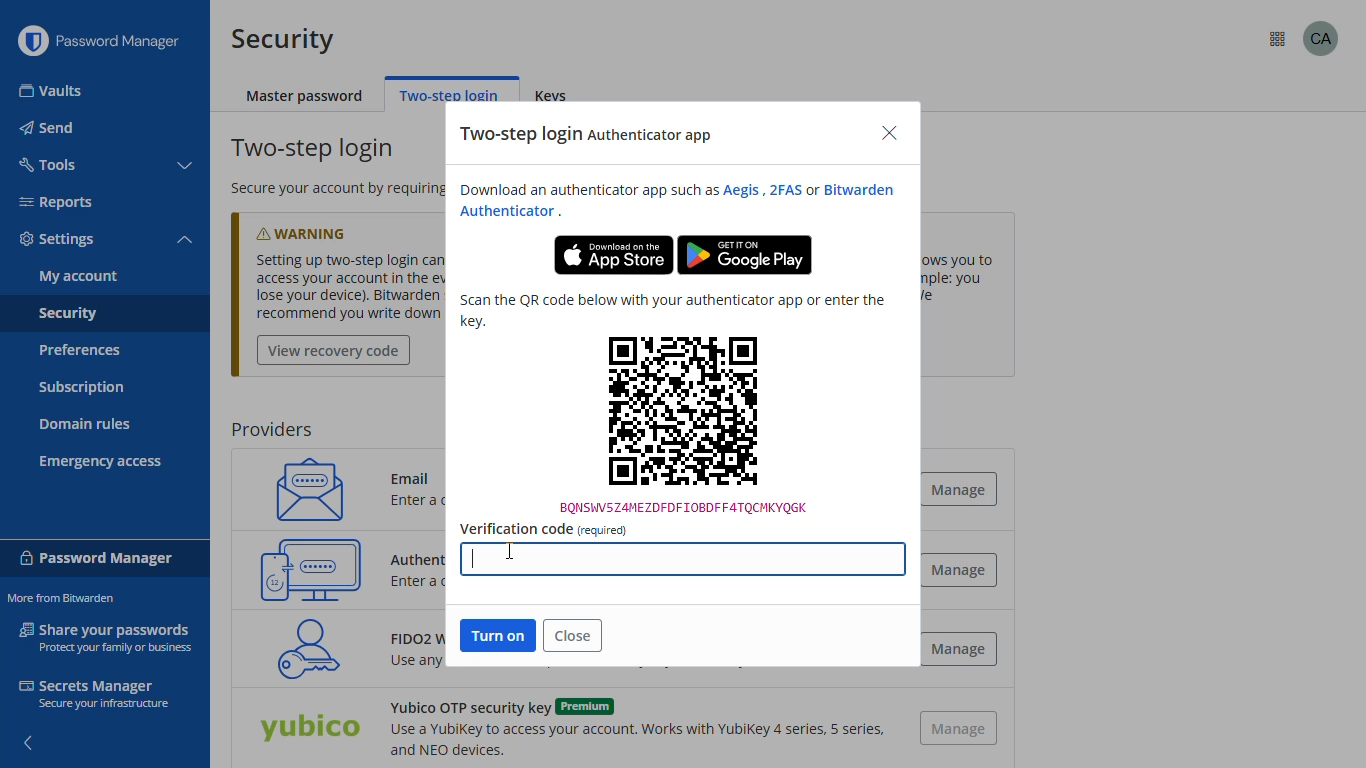 The height and width of the screenshot is (768, 1366). What do you see at coordinates (573, 635) in the screenshot?
I see `close` at bounding box center [573, 635].